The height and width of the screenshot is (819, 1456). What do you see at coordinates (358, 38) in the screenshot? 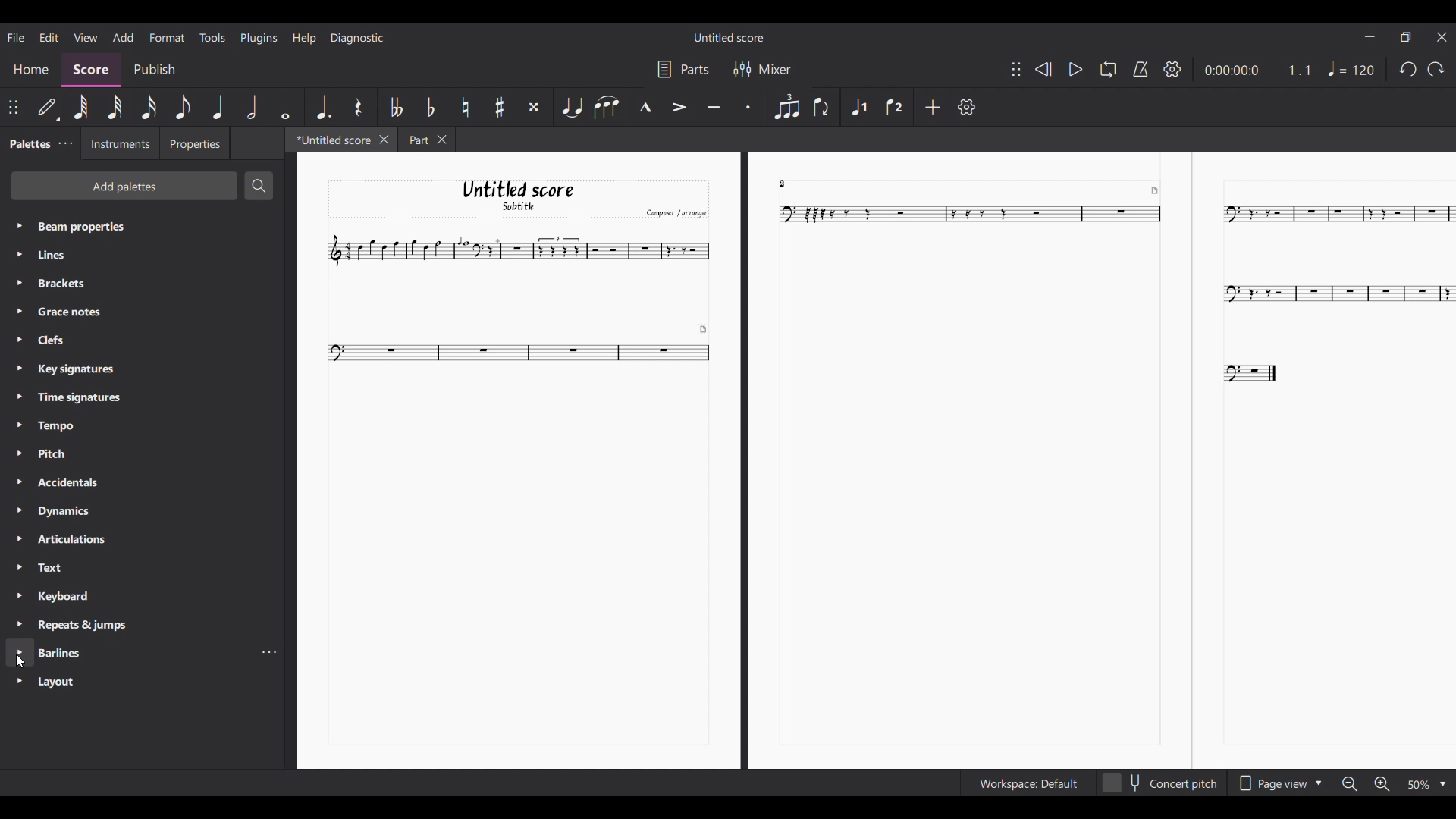
I see `Diagnostic menu` at bounding box center [358, 38].